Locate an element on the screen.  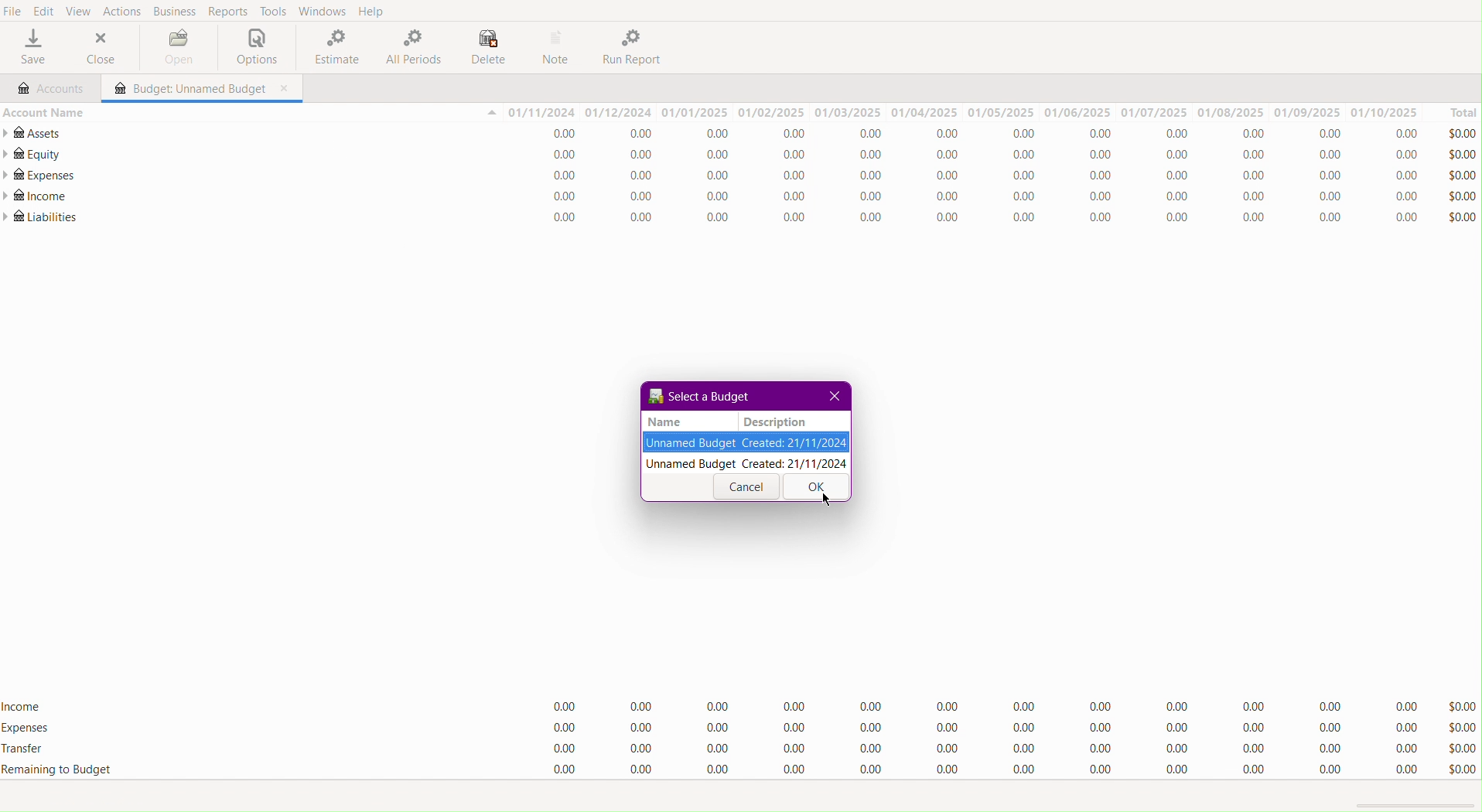
Equity Values is located at coordinates (986, 156).